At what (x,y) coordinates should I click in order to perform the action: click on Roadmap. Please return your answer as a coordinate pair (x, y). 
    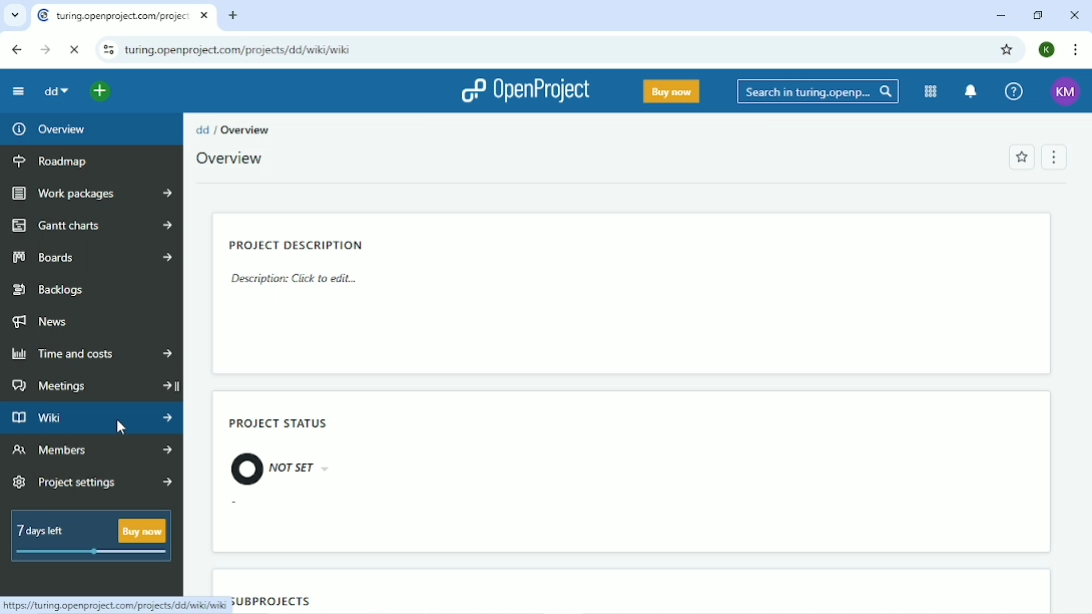
    Looking at the image, I should click on (51, 161).